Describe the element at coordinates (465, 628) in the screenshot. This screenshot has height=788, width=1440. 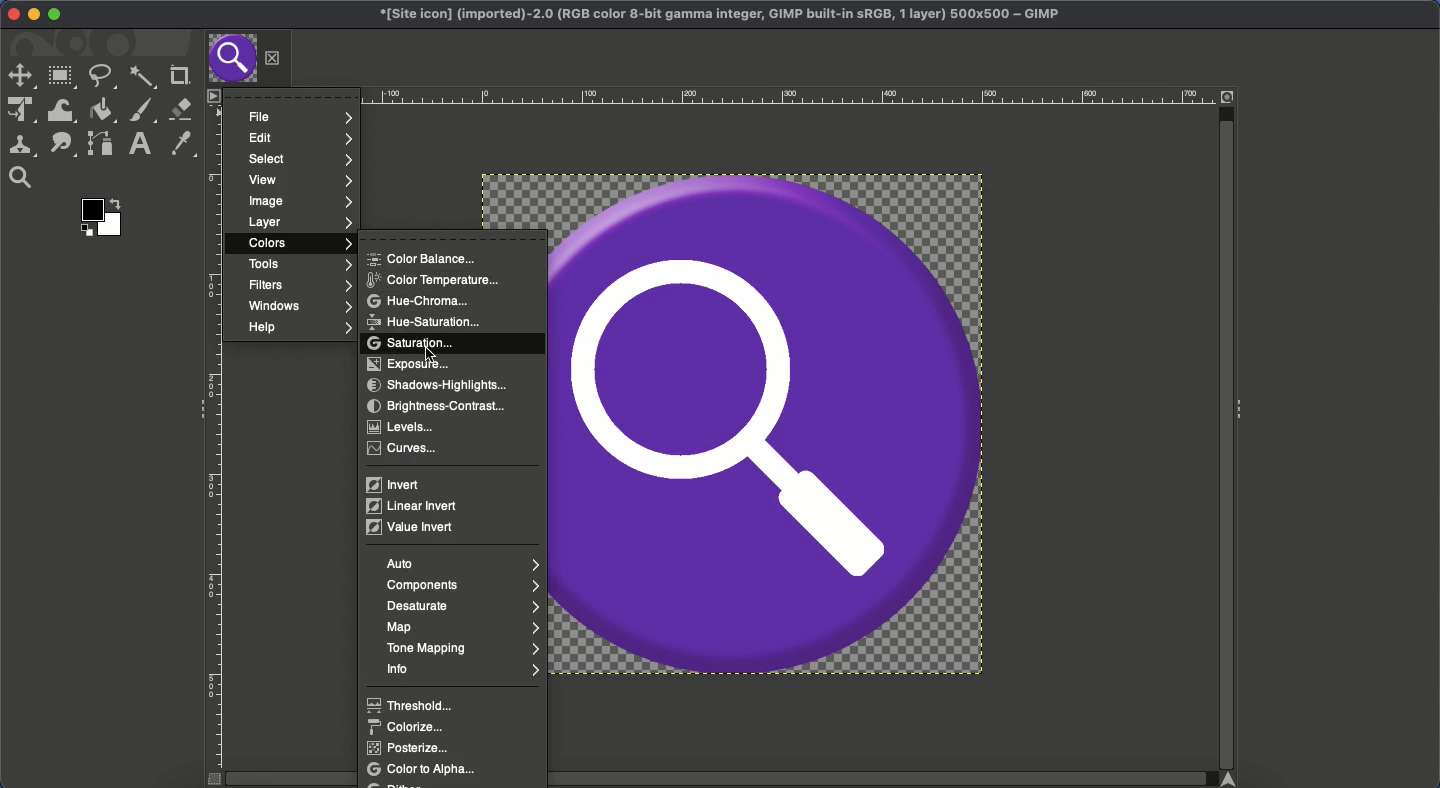
I see `Map` at that location.